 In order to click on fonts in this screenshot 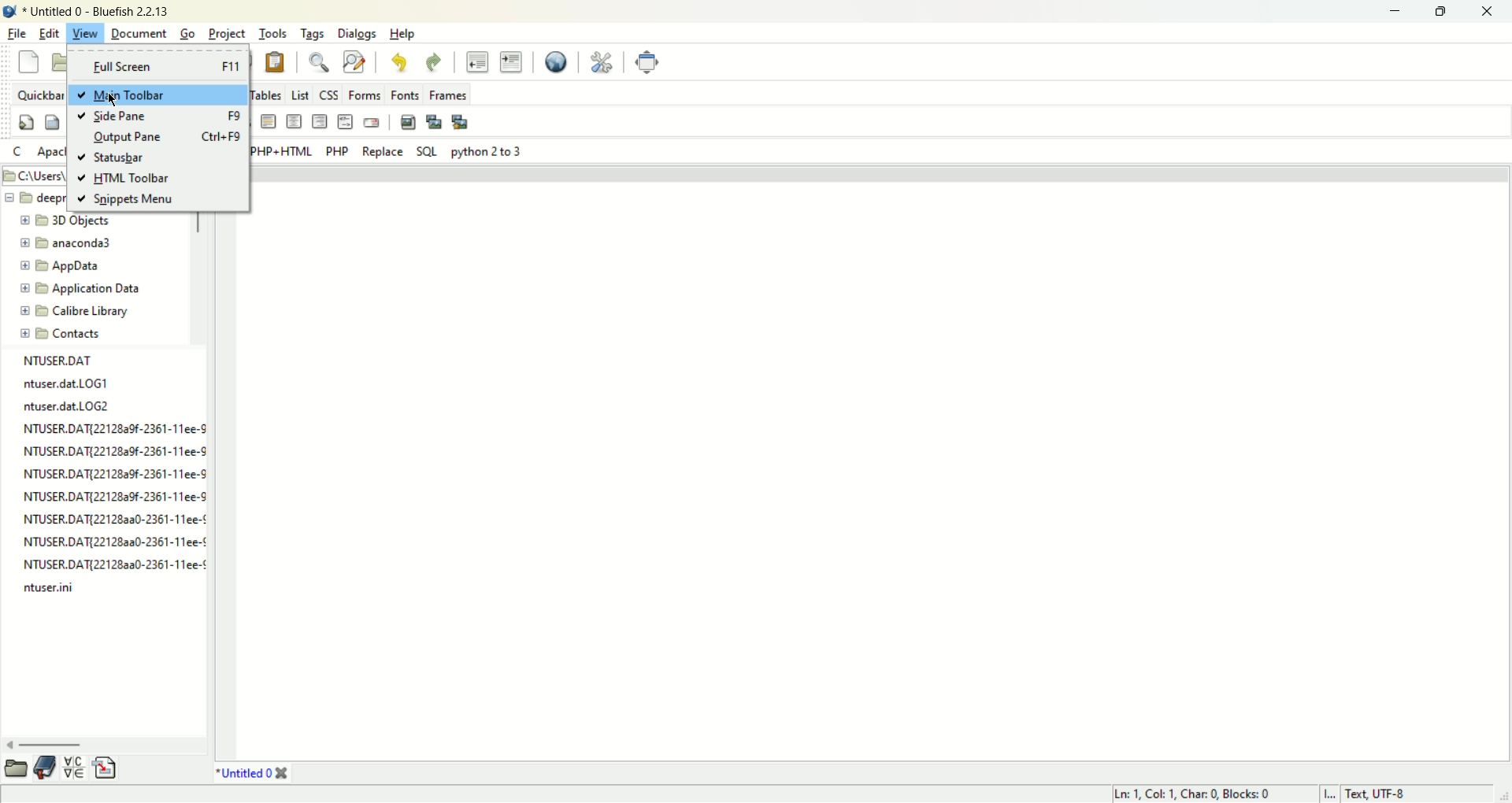, I will do `click(405, 94)`.